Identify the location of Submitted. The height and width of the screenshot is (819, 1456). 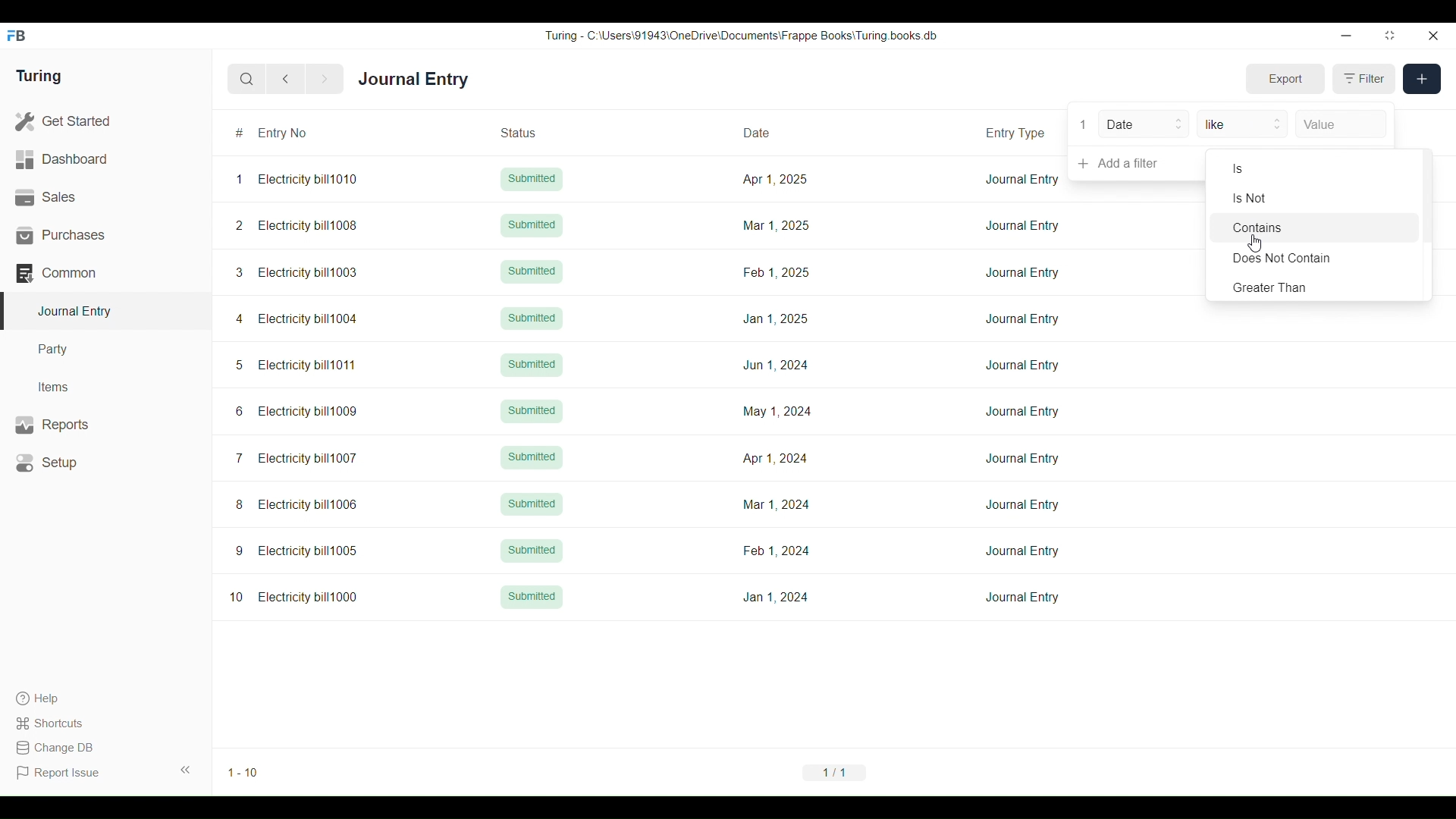
(531, 503).